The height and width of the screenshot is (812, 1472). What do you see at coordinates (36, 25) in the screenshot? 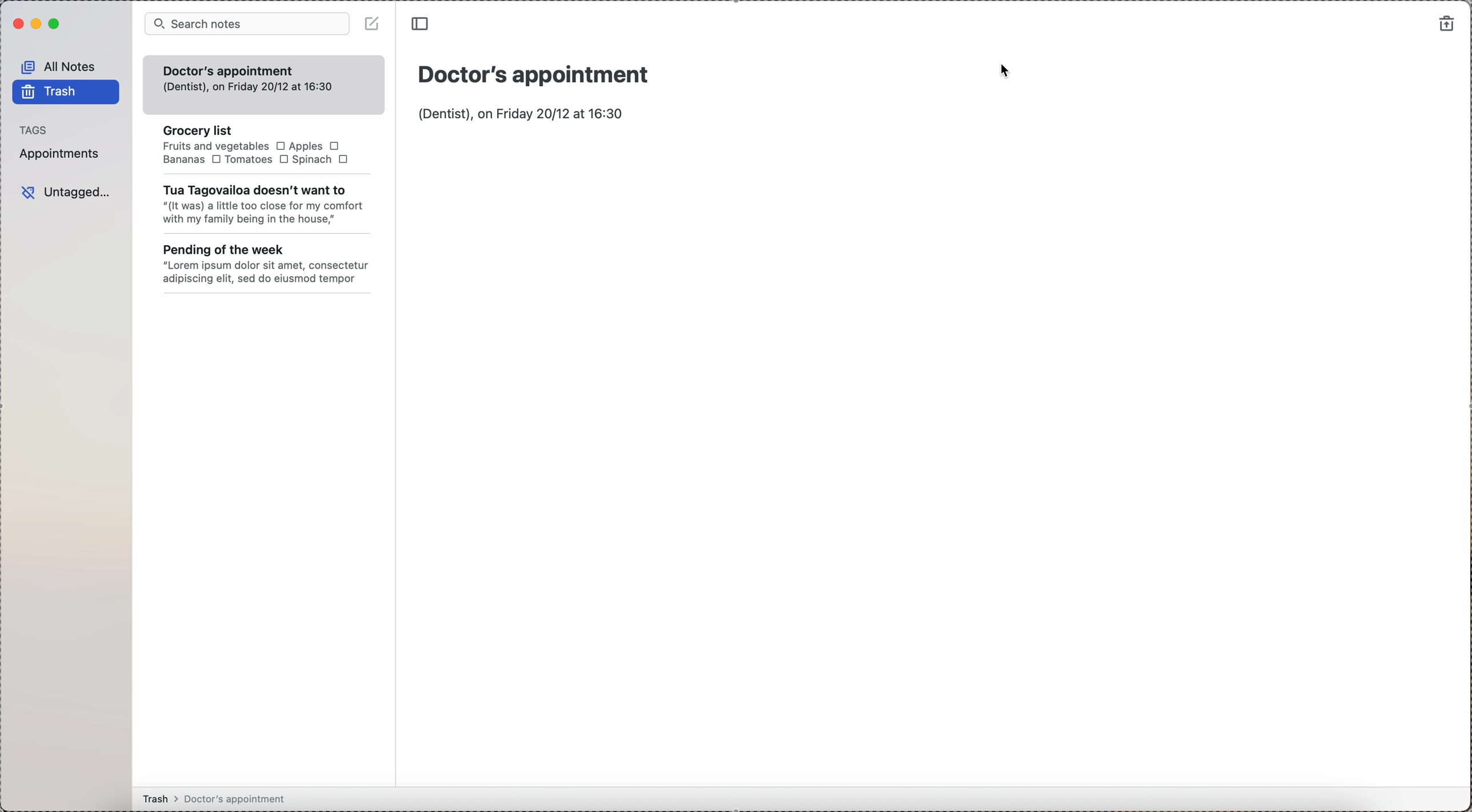
I see `minimize Simplenote` at bounding box center [36, 25].